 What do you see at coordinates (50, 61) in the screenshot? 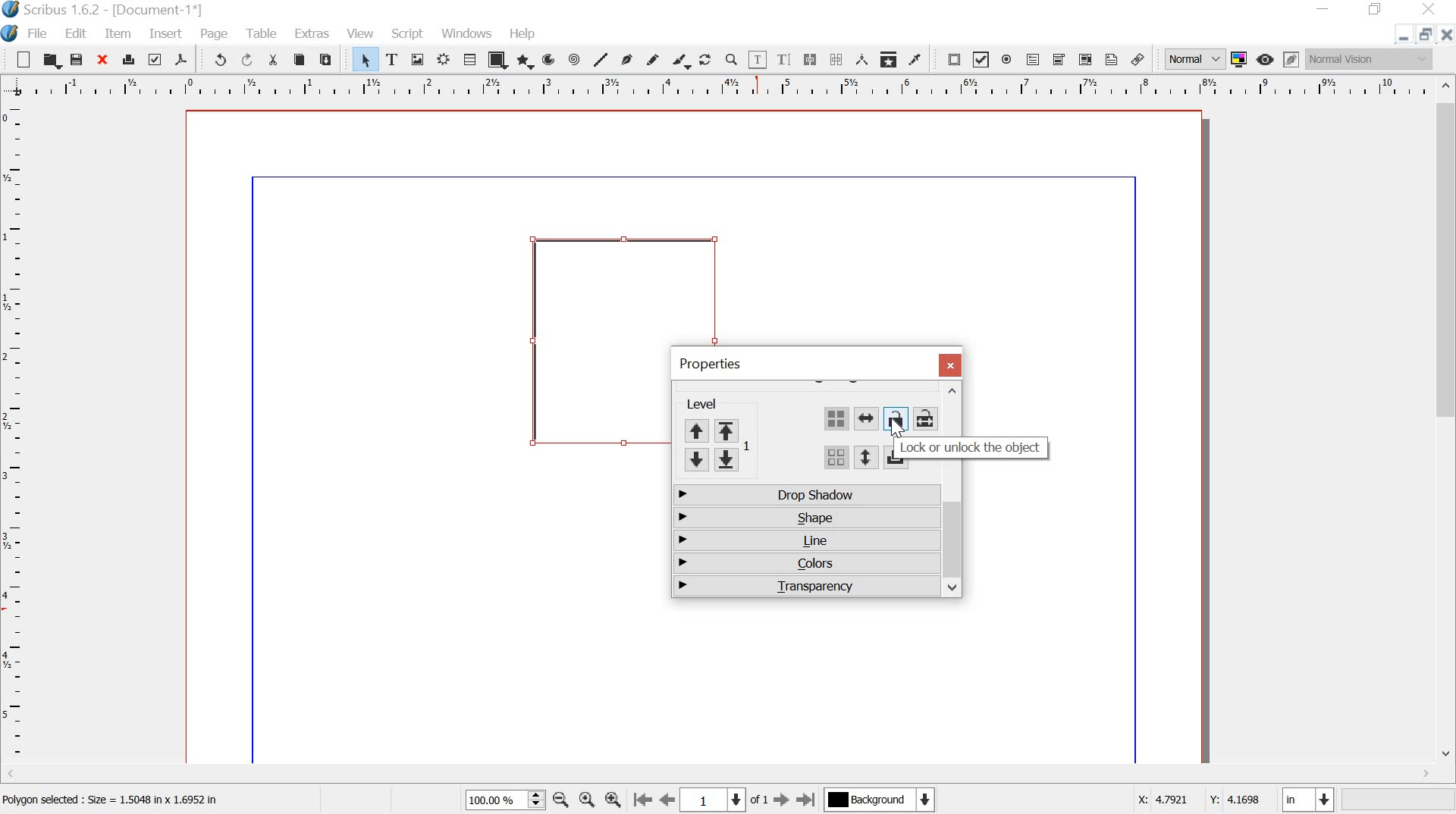
I see `open` at bounding box center [50, 61].